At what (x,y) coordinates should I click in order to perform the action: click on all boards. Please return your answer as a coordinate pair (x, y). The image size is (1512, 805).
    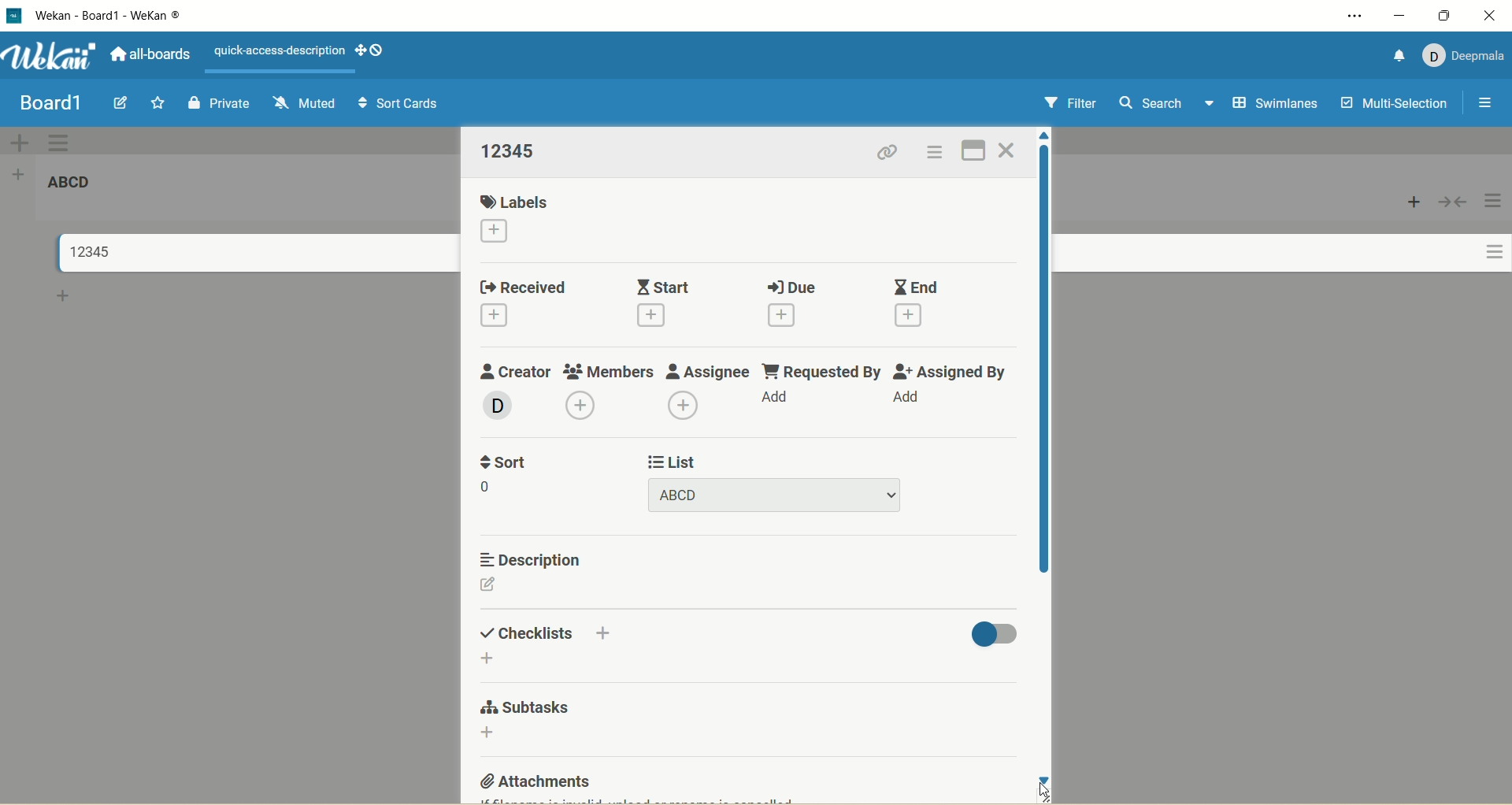
    Looking at the image, I should click on (149, 57).